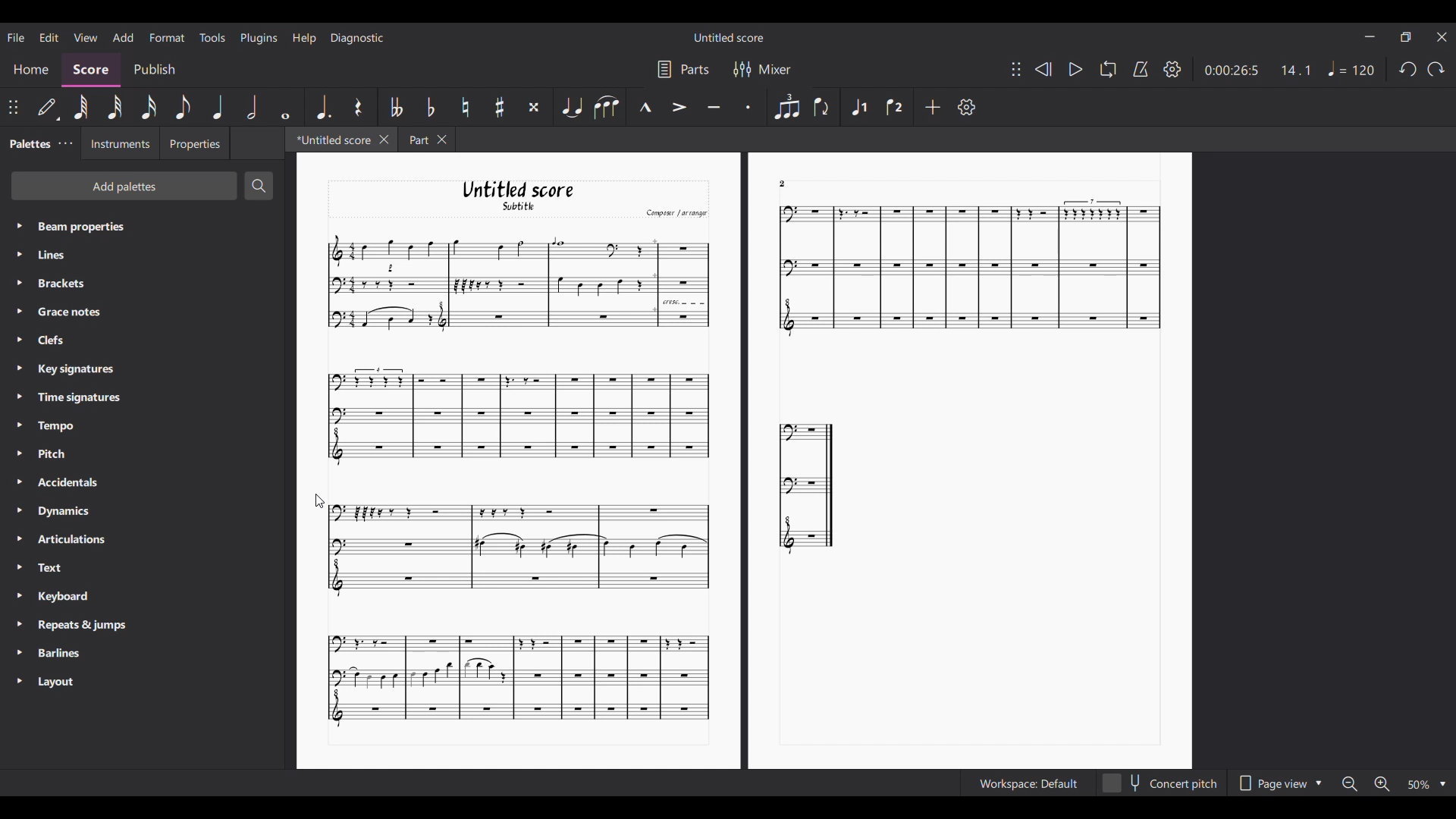  Describe the element at coordinates (967, 107) in the screenshot. I see `Settings` at that location.